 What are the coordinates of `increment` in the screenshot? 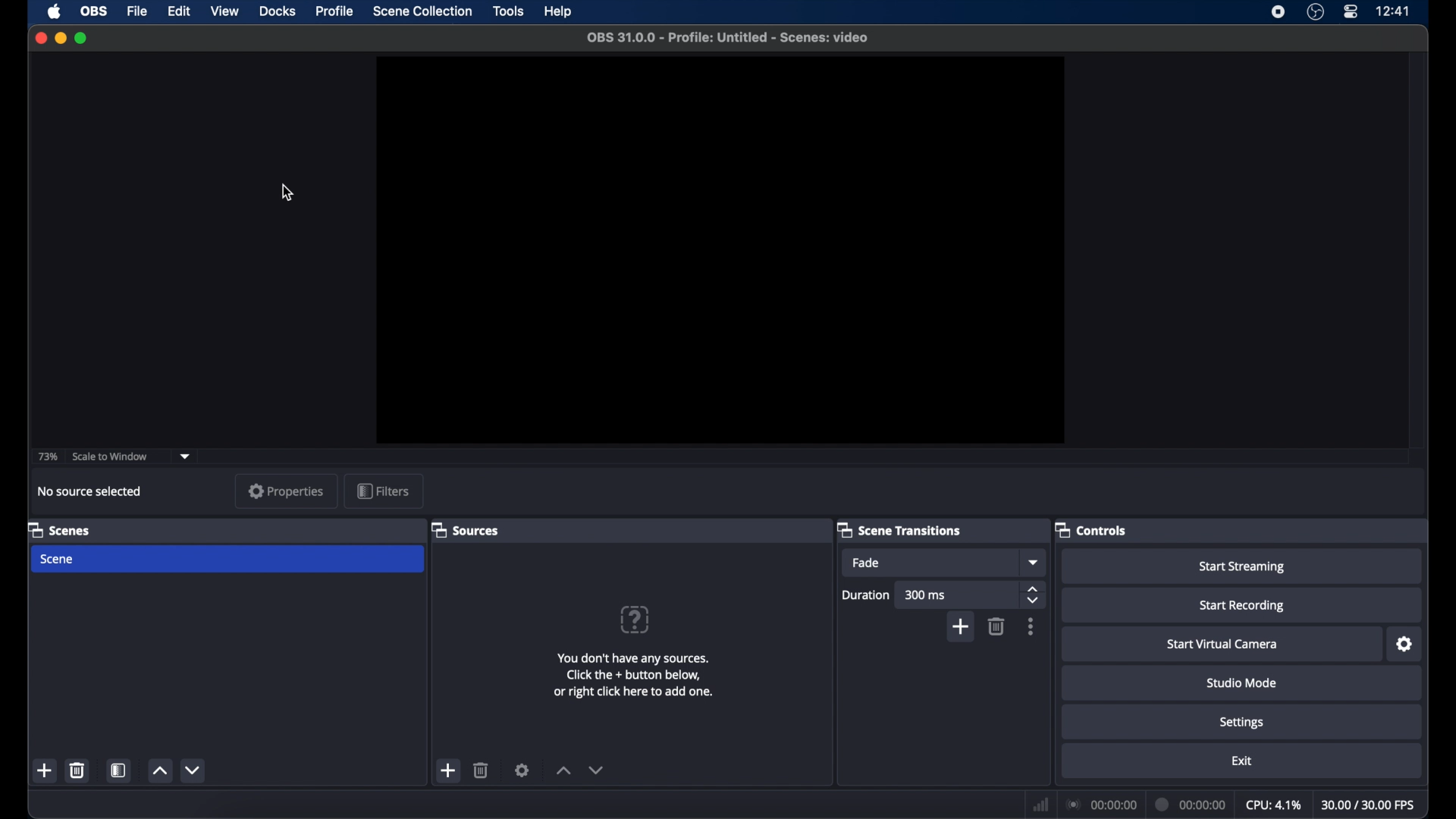 It's located at (159, 770).